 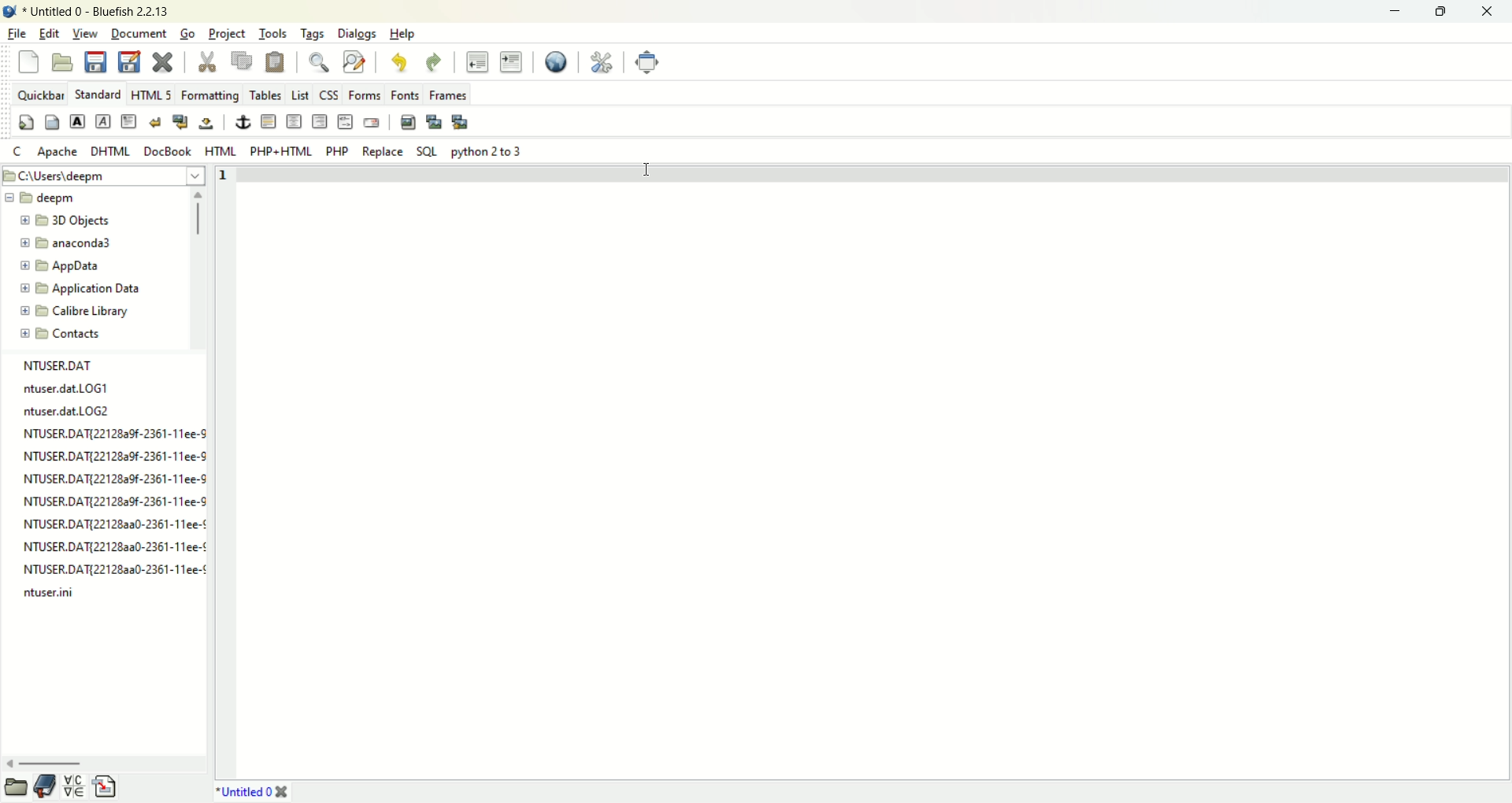 I want to click on undo , so click(x=398, y=63).